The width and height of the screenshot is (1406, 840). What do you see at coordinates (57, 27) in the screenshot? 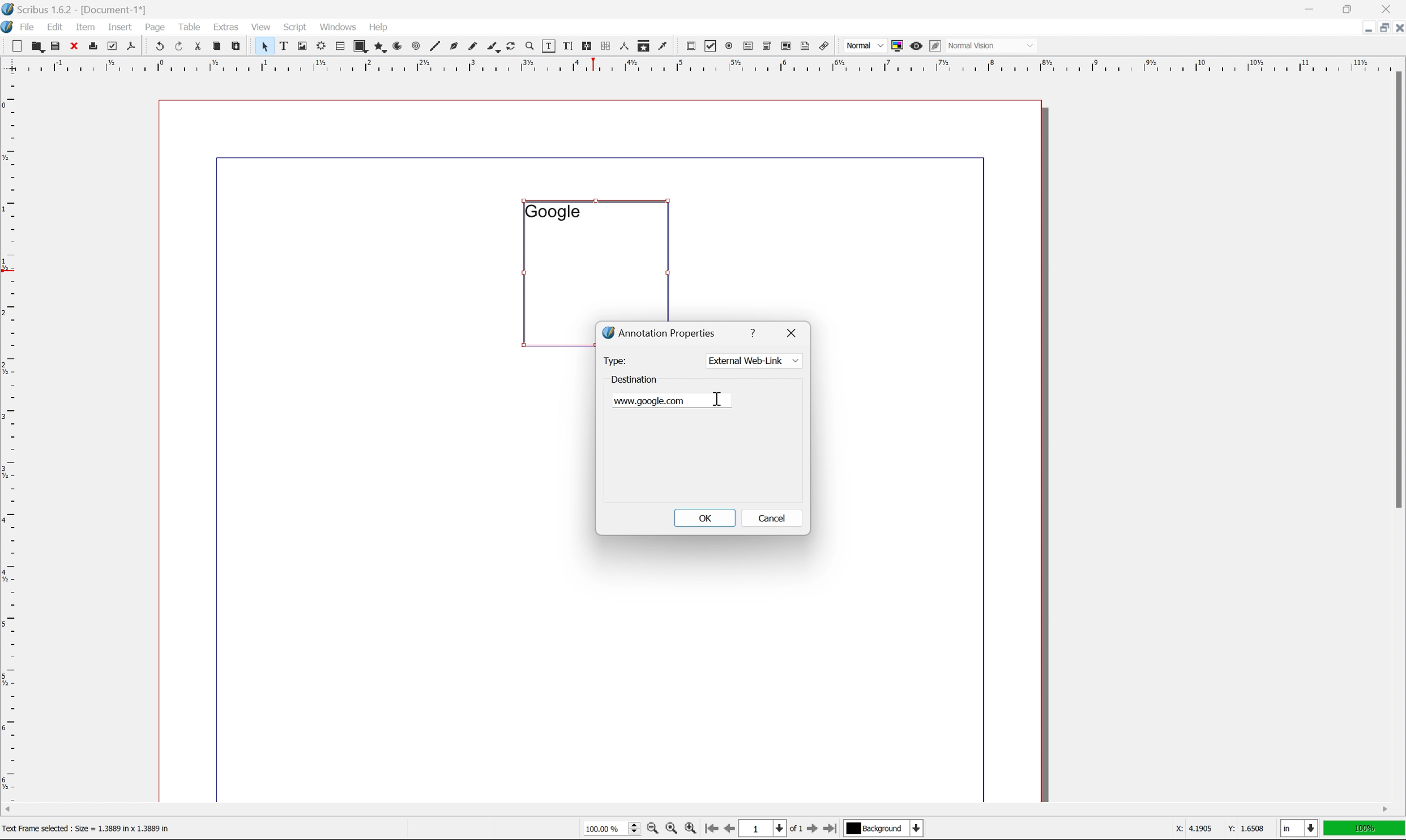
I see `edit` at bounding box center [57, 27].